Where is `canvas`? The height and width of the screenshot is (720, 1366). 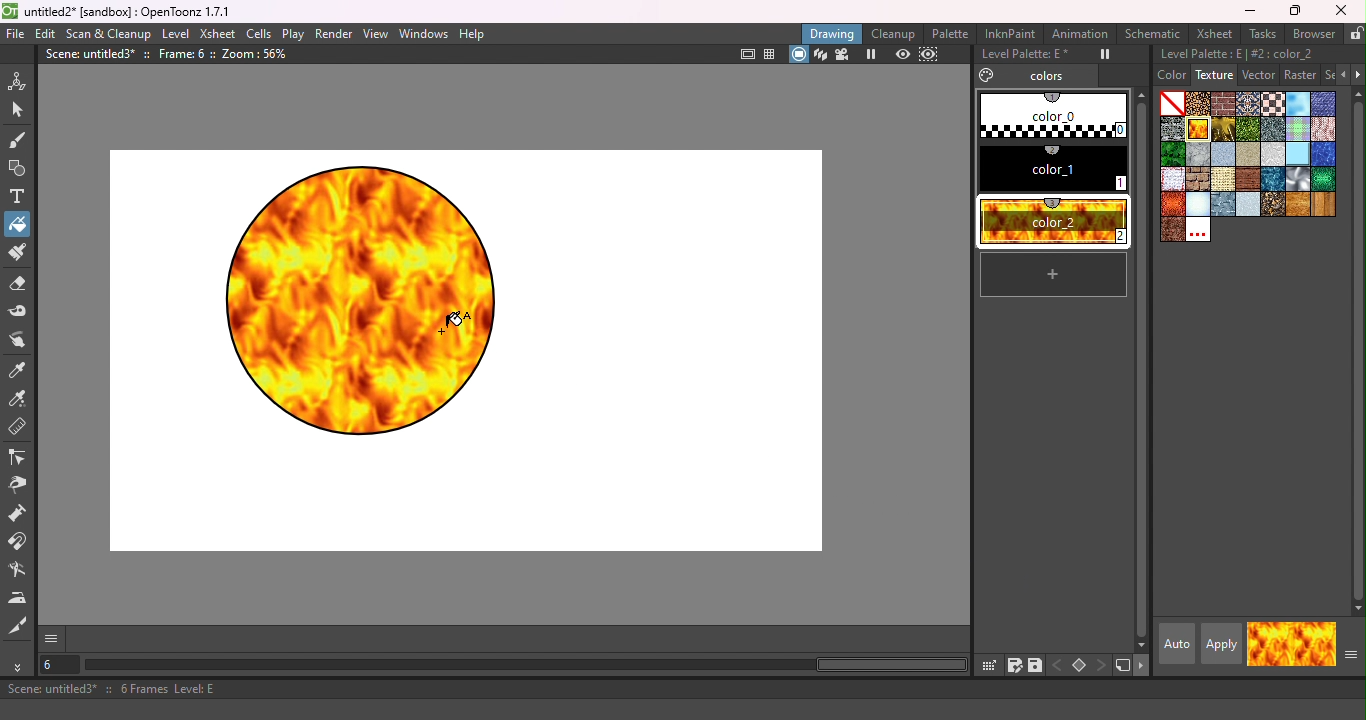
canvas is located at coordinates (460, 348).